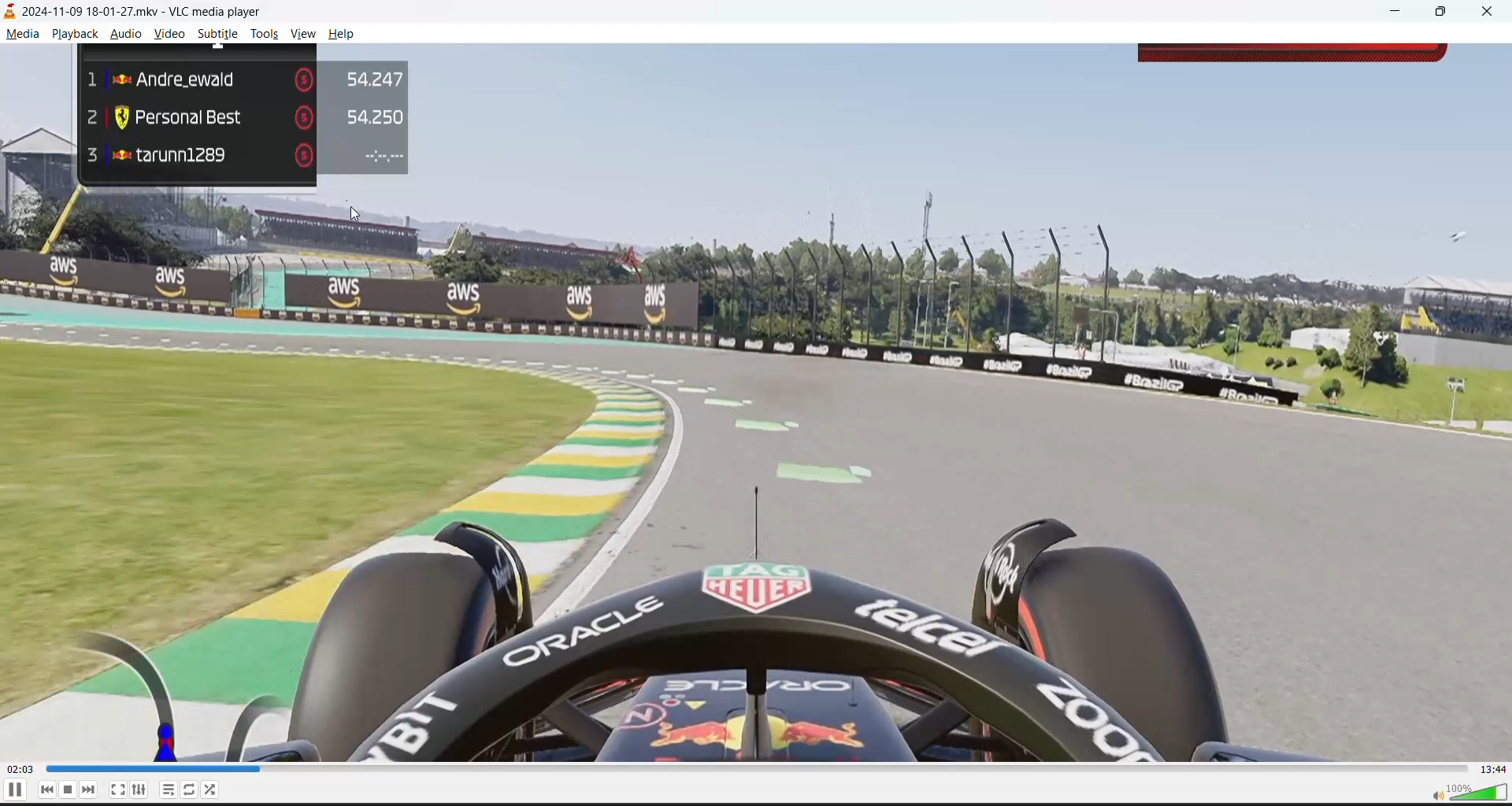 Image resolution: width=1512 pixels, height=806 pixels. What do you see at coordinates (169, 789) in the screenshot?
I see `toggle playlist` at bounding box center [169, 789].